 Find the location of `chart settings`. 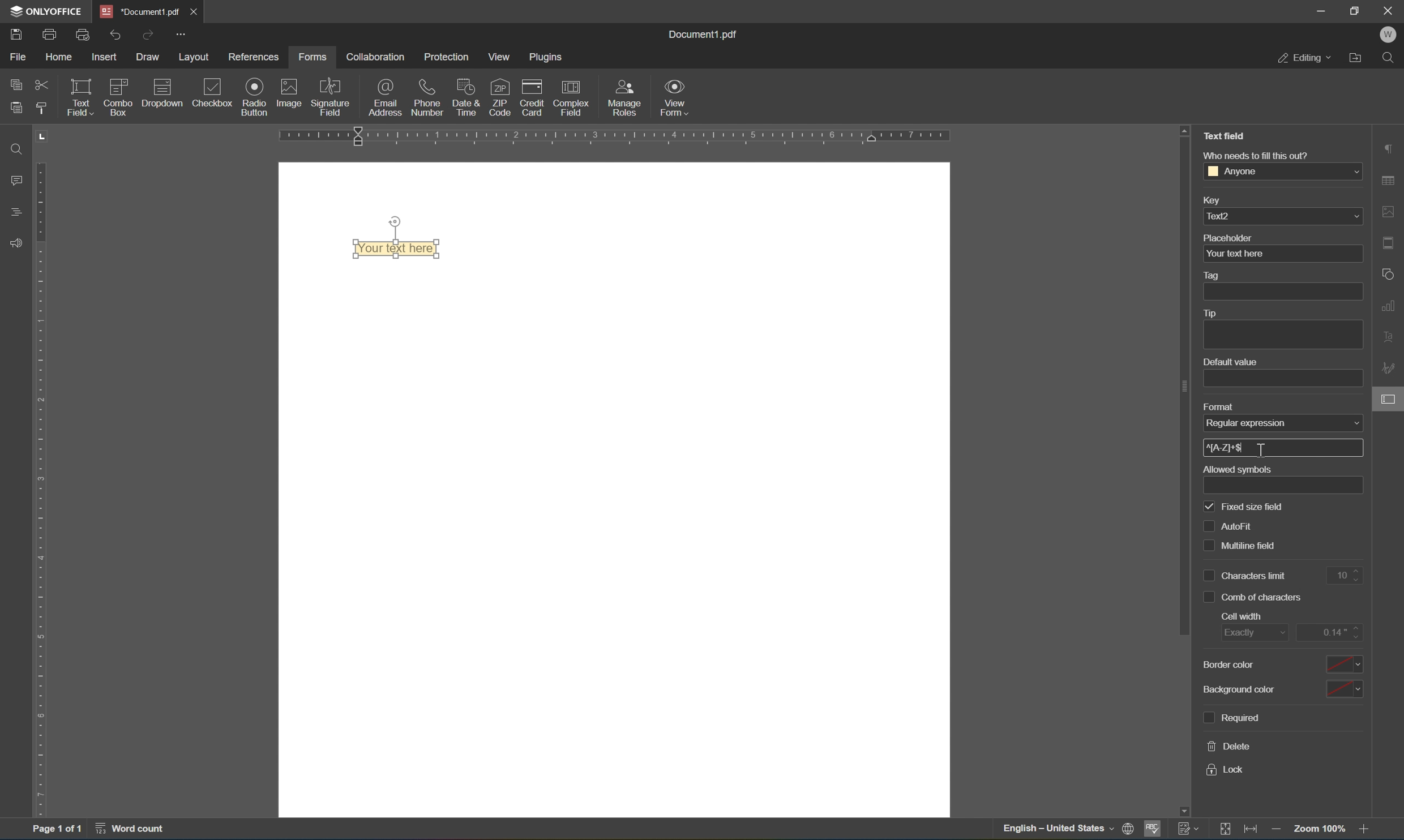

chart settings is located at coordinates (1389, 307).